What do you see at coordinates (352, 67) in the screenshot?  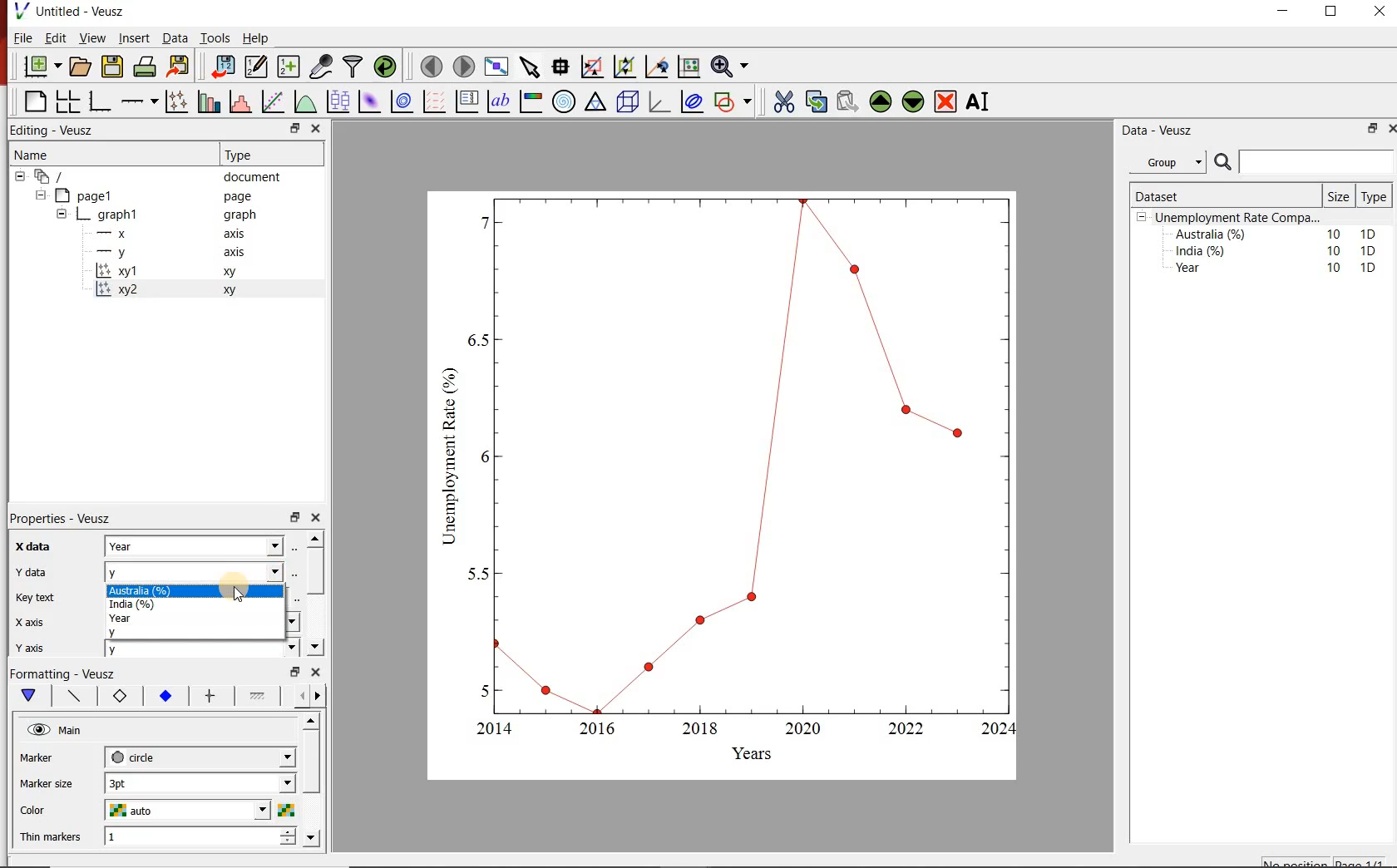 I see `filter data` at bounding box center [352, 67].